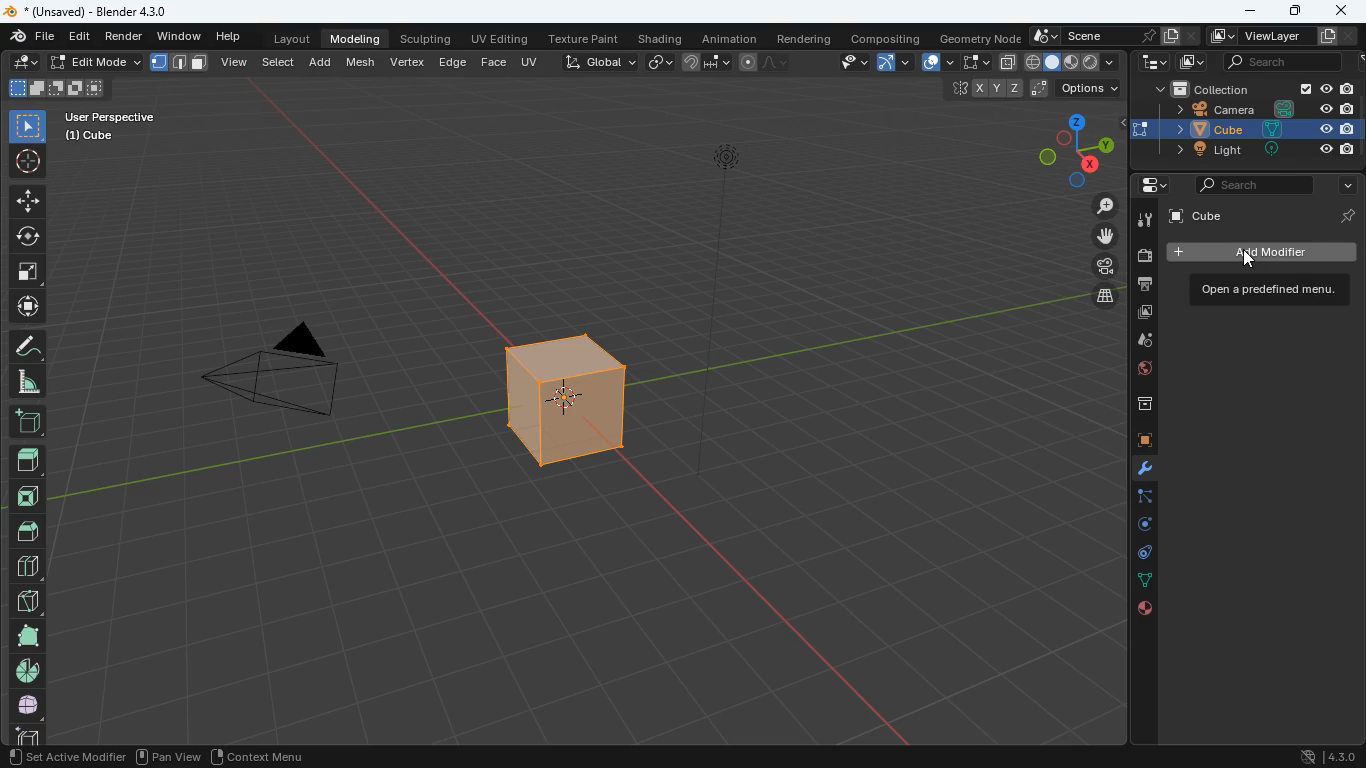 The width and height of the screenshot is (1366, 768). Describe the element at coordinates (969, 61) in the screenshot. I see `fullscreen` at that location.